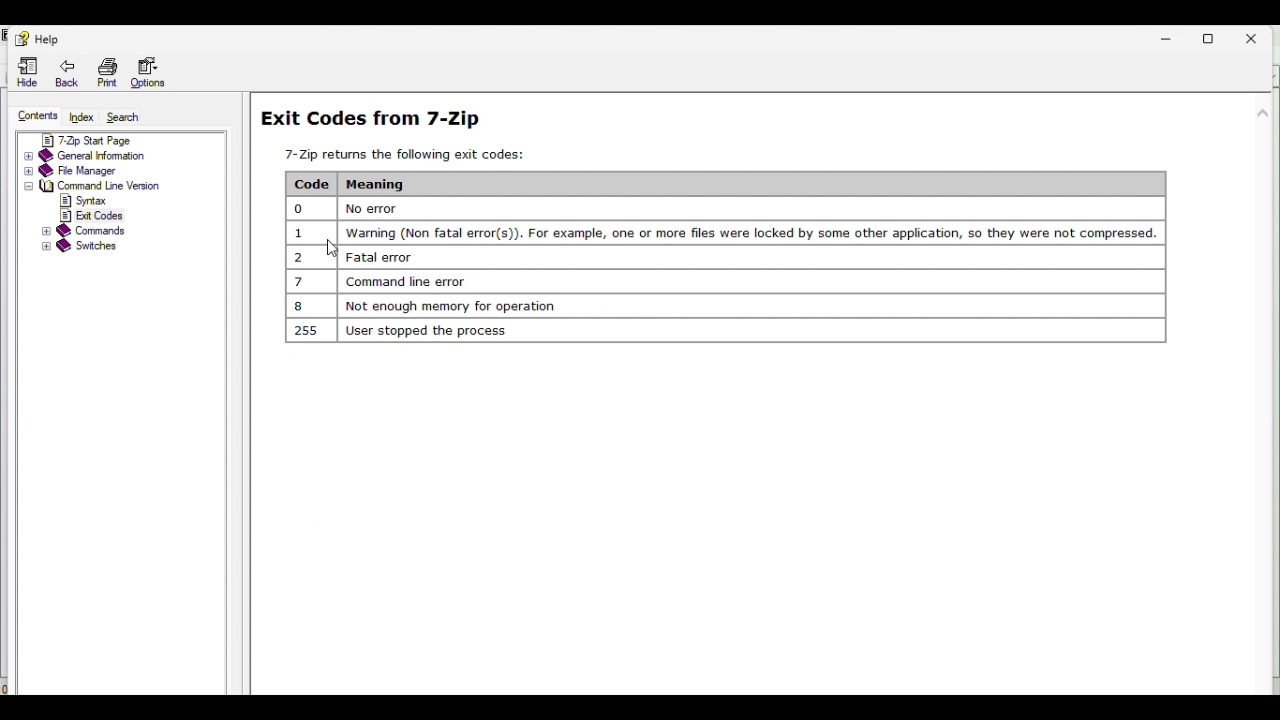  What do you see at coordinates (72, 72) in the screenshot?
I see `Back` at bounding box center [72, 72].